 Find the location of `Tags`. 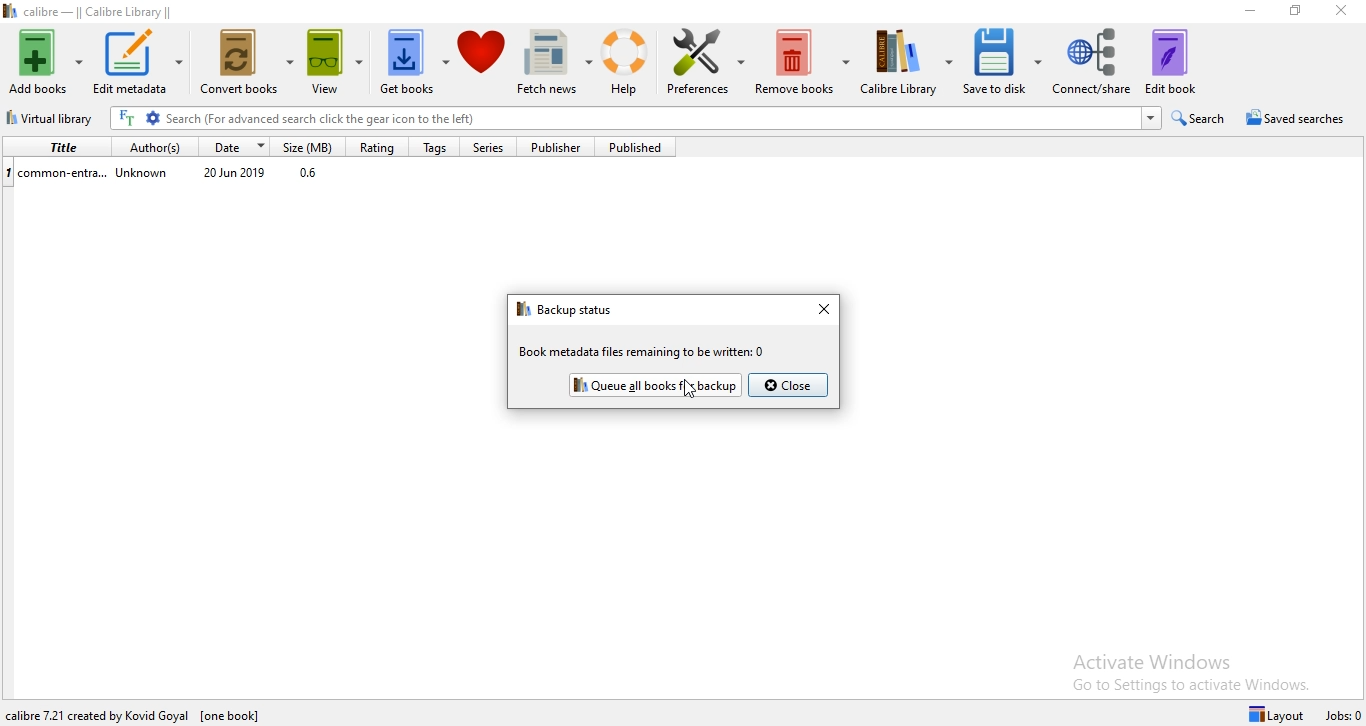

Tags is located at coordinates (433, 148).